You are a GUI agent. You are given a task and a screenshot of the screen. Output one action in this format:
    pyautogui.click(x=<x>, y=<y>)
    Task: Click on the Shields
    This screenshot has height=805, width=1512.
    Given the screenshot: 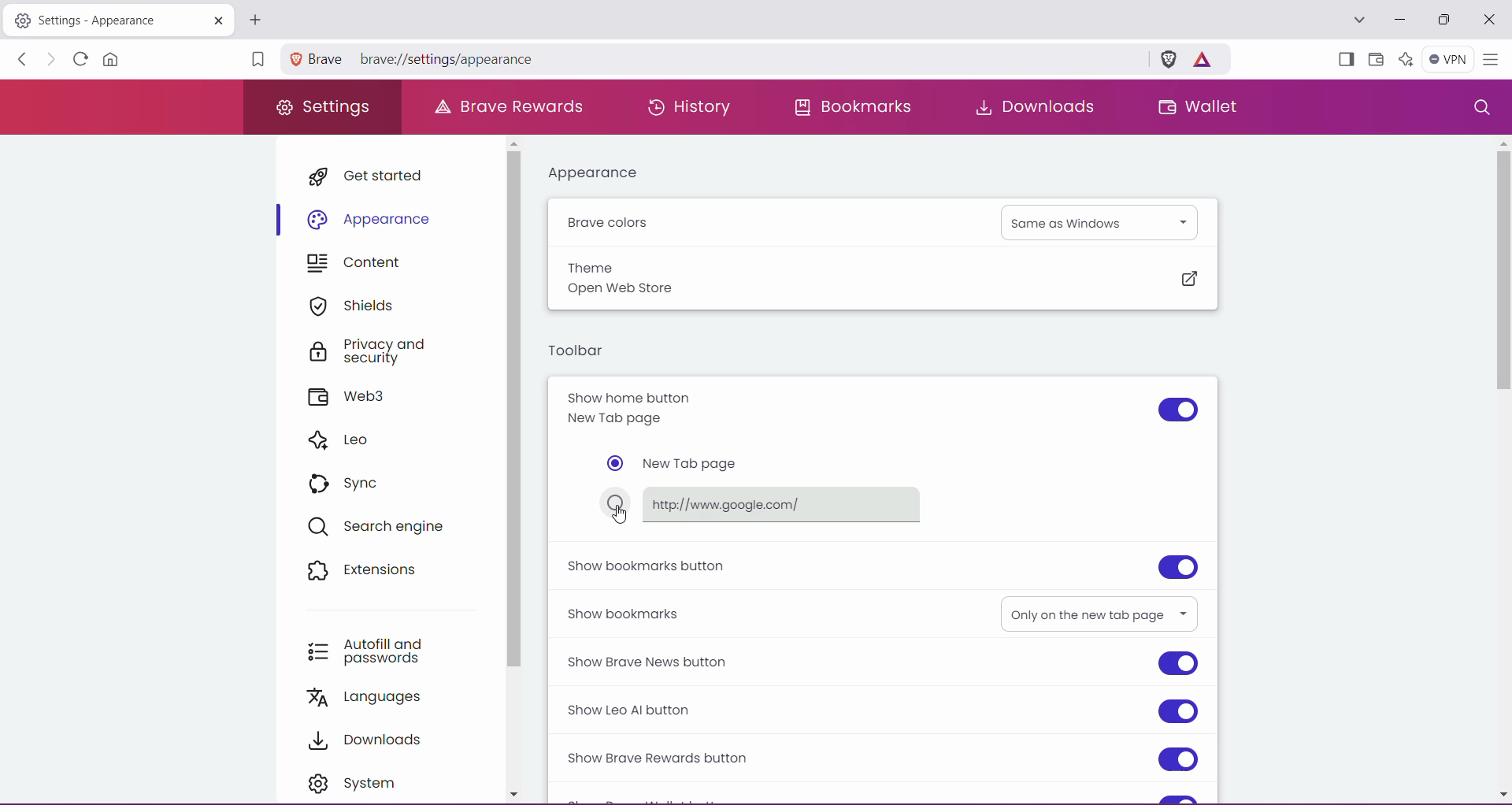 What is the action you would take?
    pyautogui.click(x=357, y=306)
    